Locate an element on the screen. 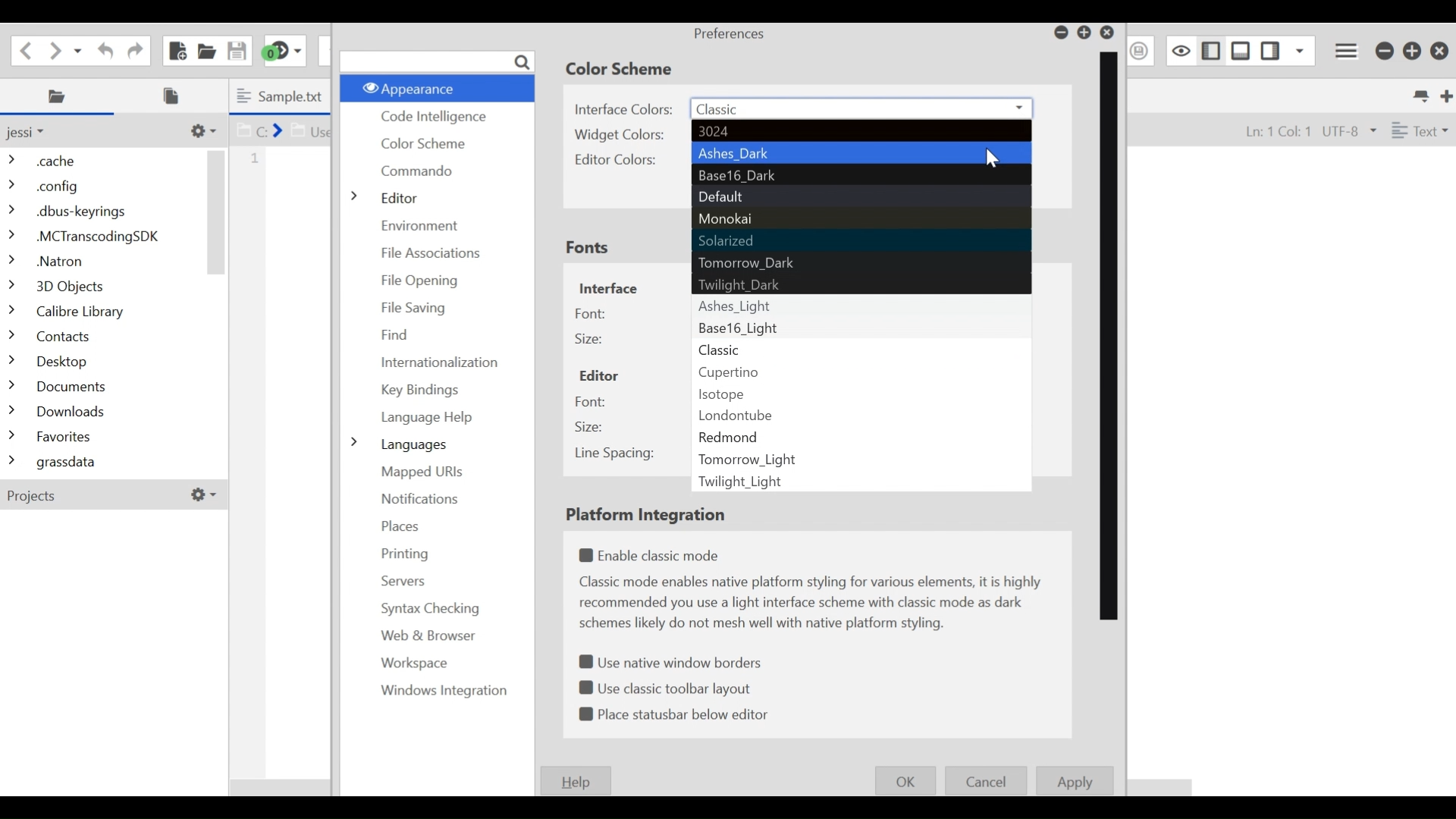 The width and height of the screenshot is (1456, 819). text is located at coordinates (814, 604).